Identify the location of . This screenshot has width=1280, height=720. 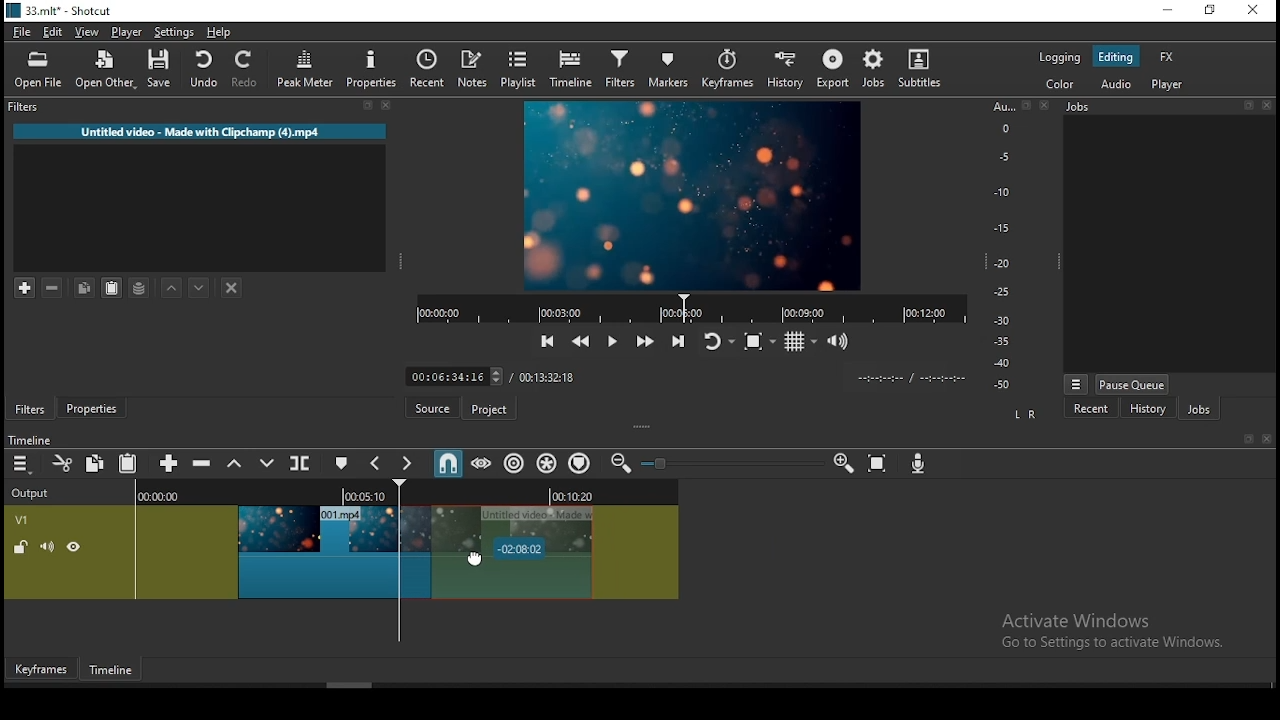
(1266, 440).